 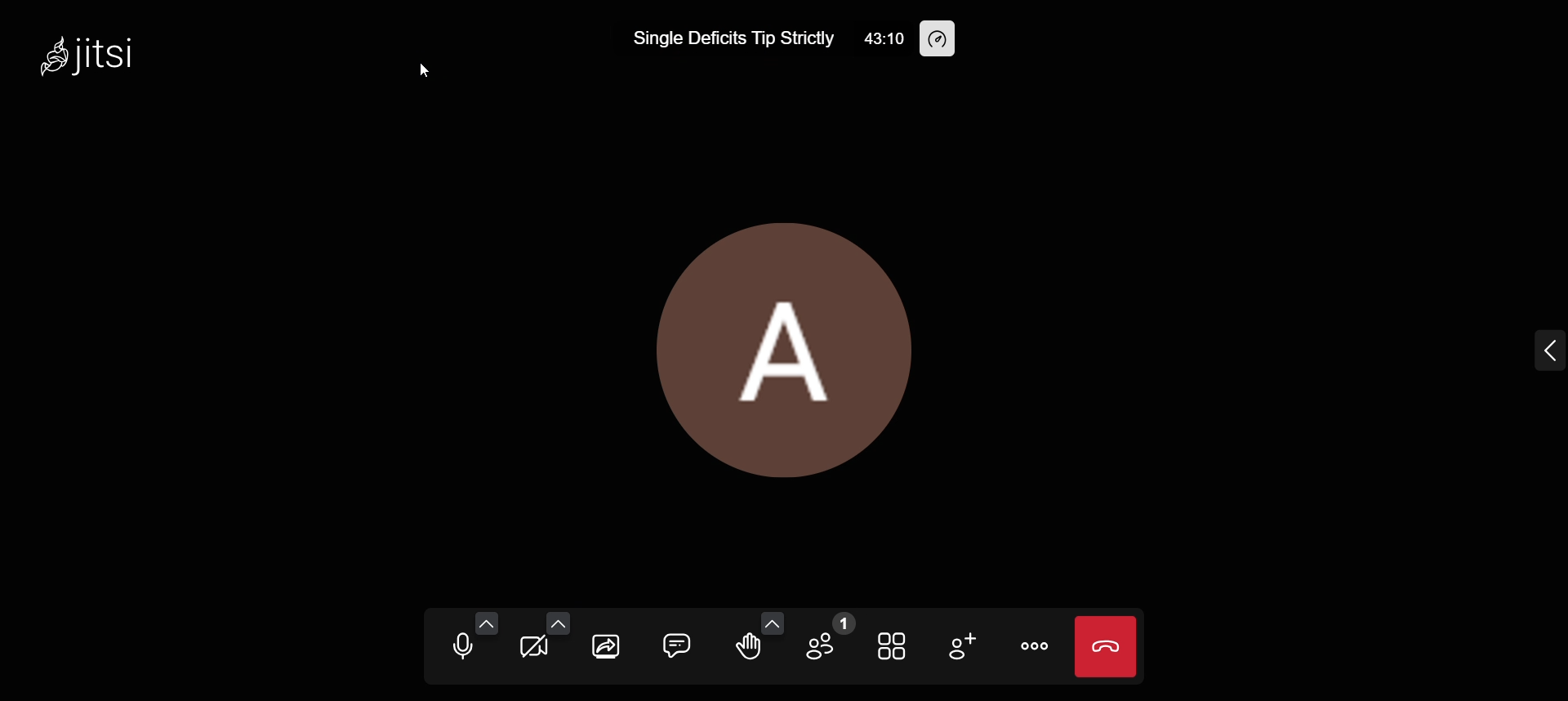 What do you see at coordinates (744, 649) in the screenshot?
I see `raise hand` at bounding box center [744, 649].